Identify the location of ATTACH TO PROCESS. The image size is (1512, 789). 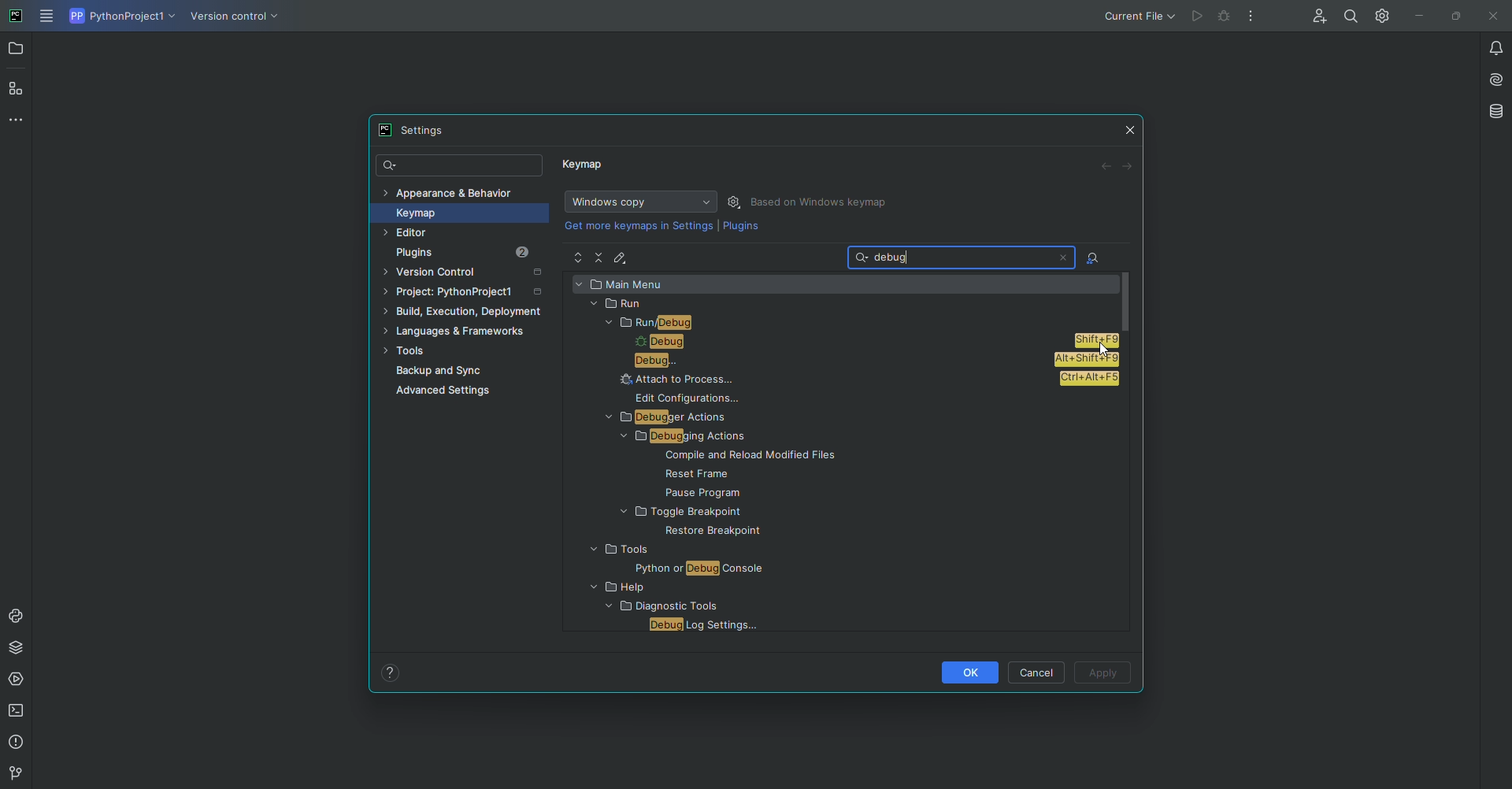
(829, 379).